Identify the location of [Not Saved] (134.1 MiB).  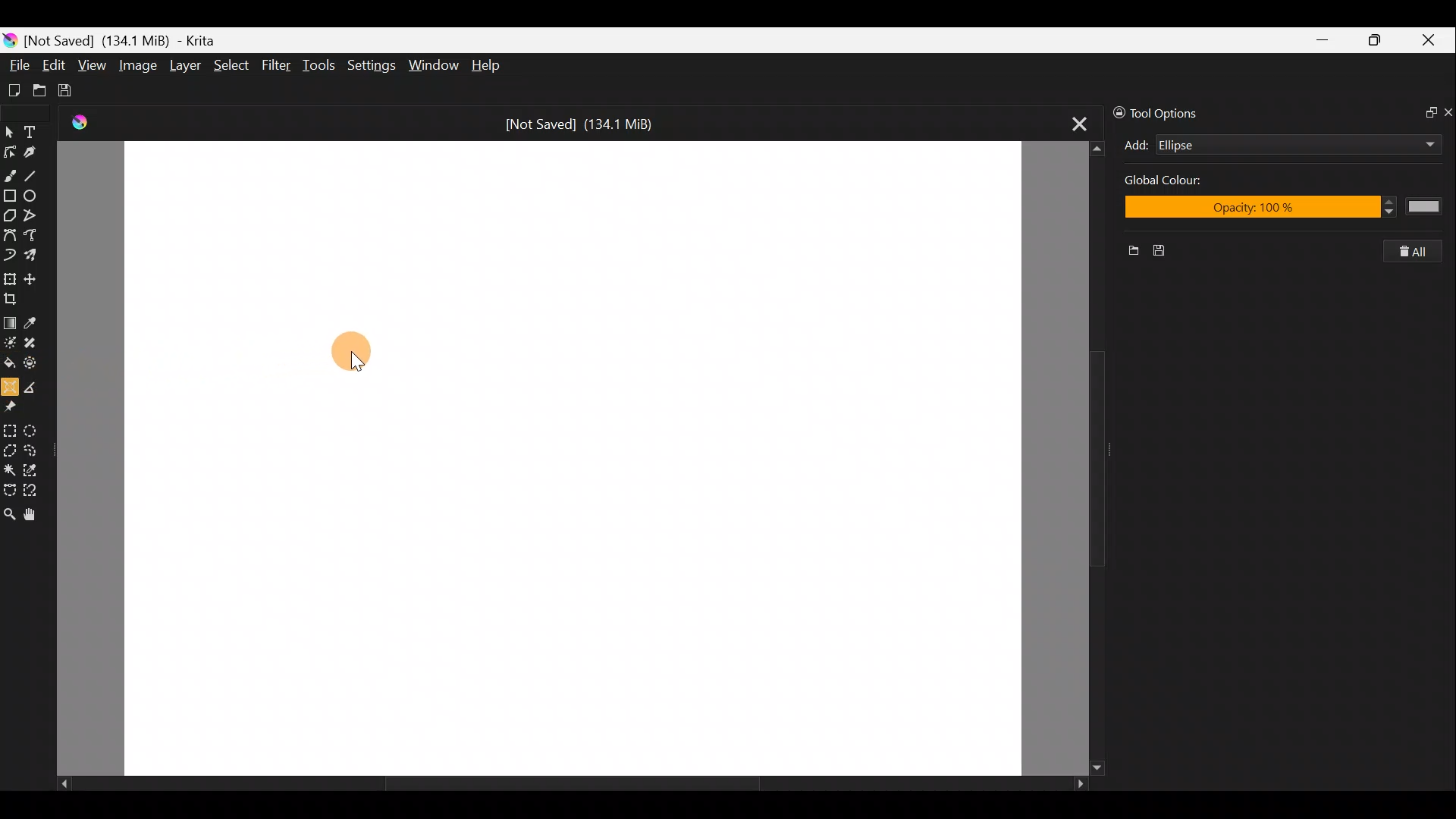
(587, 122).